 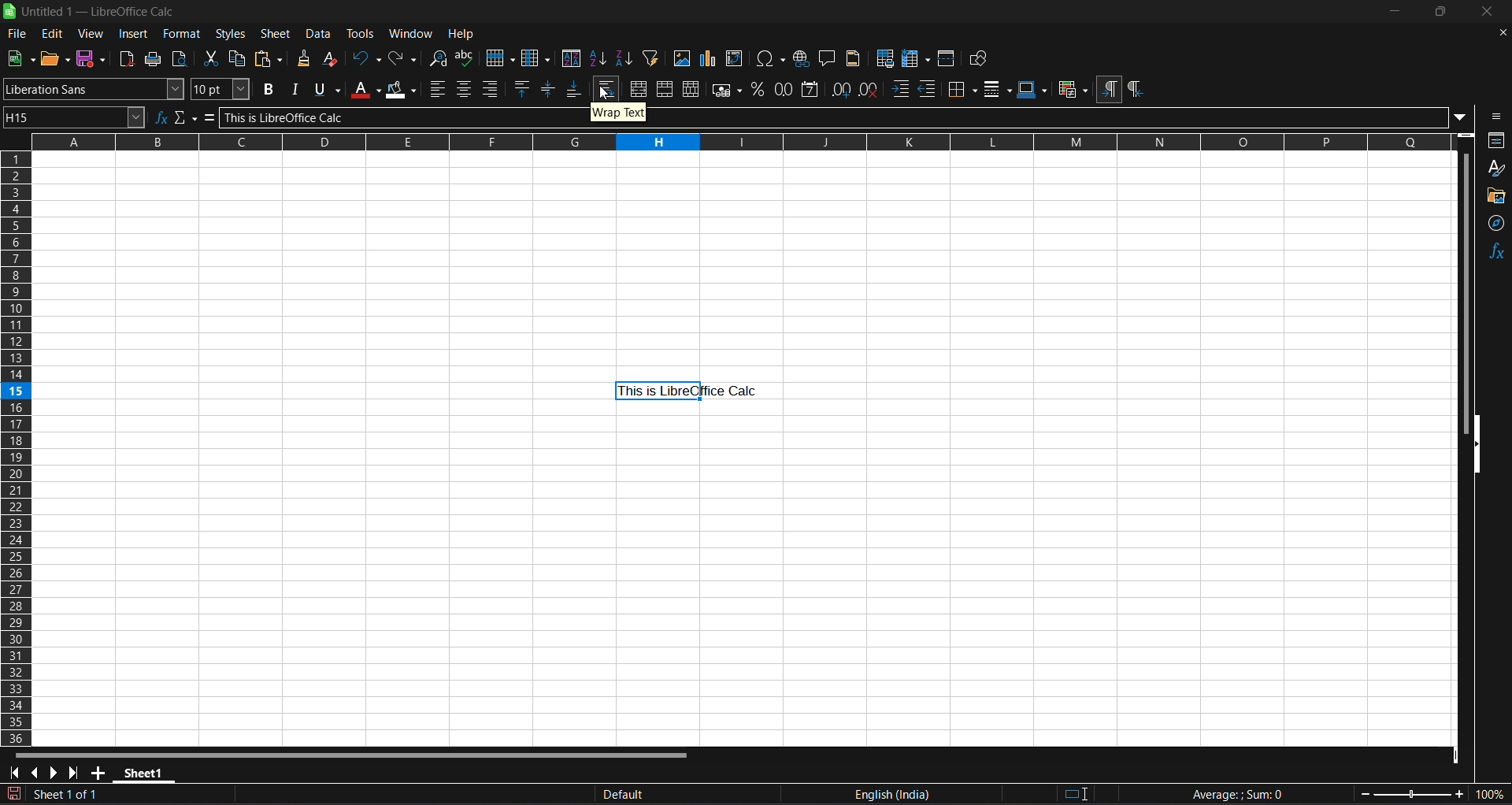 What do you see at coordinates (234, 34) in the screenshot?
I see `styles` at bounding box center [234, 34].